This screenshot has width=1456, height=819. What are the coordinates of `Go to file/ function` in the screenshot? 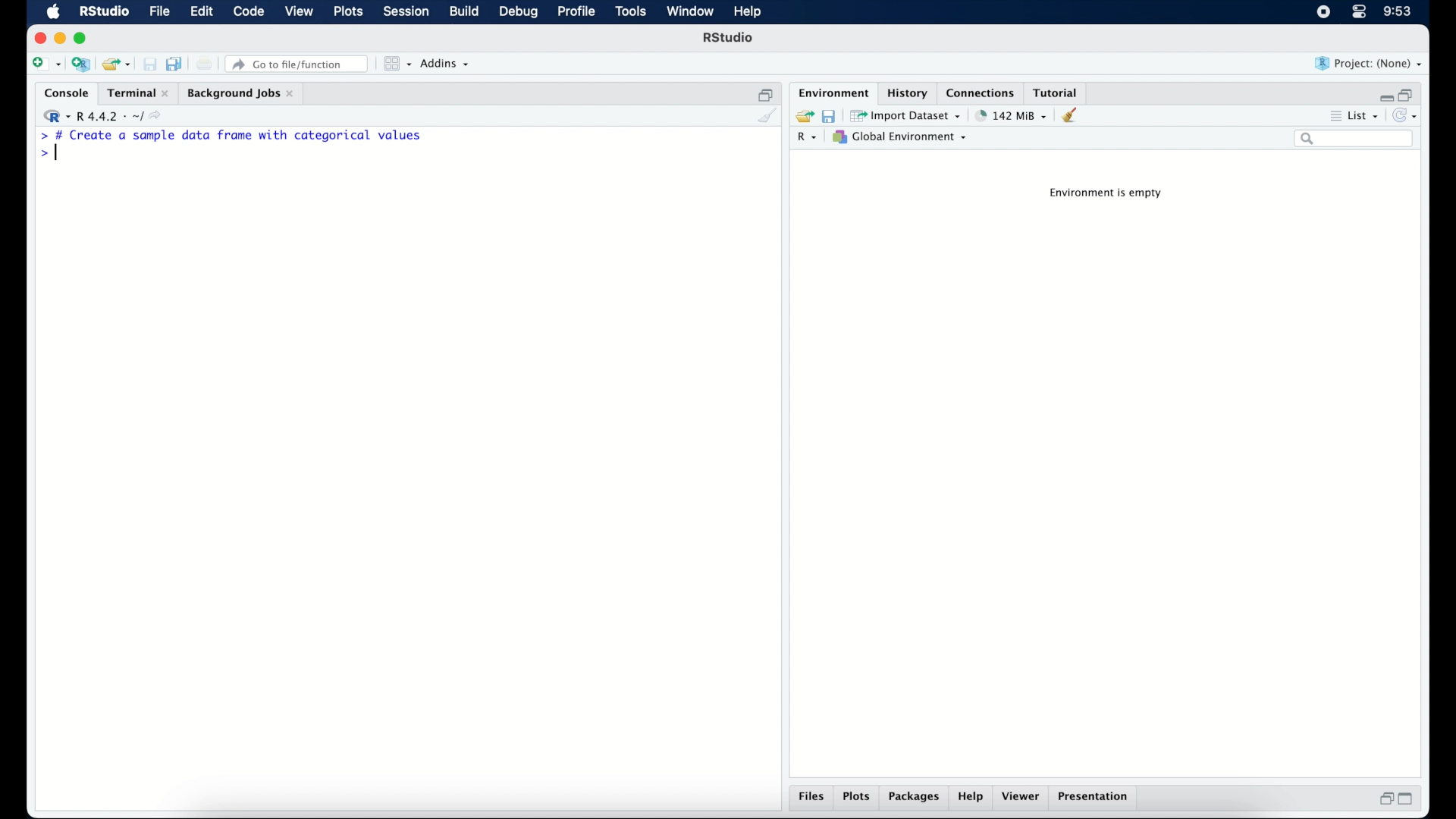 It's located at (300, 63).